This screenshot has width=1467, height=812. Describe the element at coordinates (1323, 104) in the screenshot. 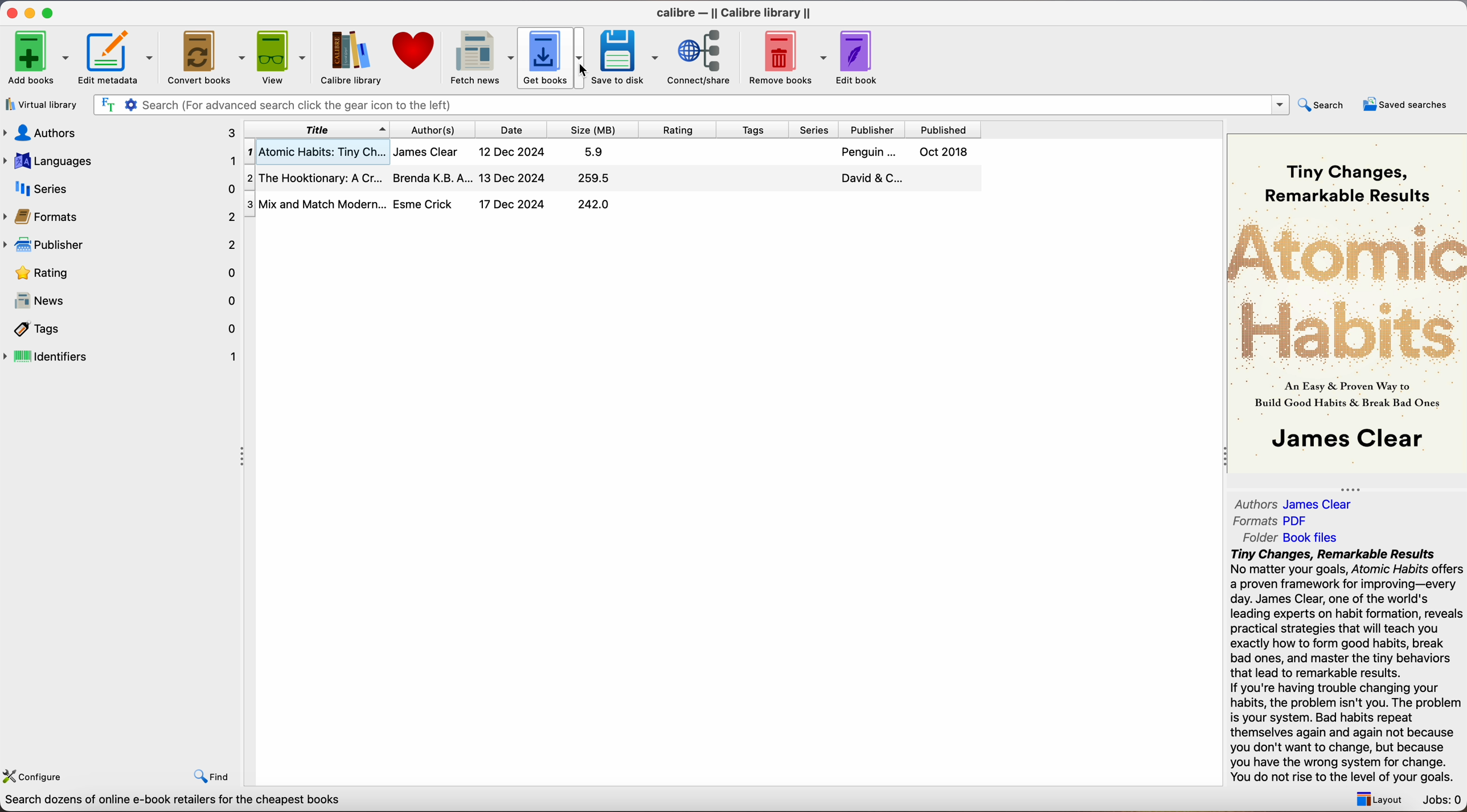

I see `search` at that location.